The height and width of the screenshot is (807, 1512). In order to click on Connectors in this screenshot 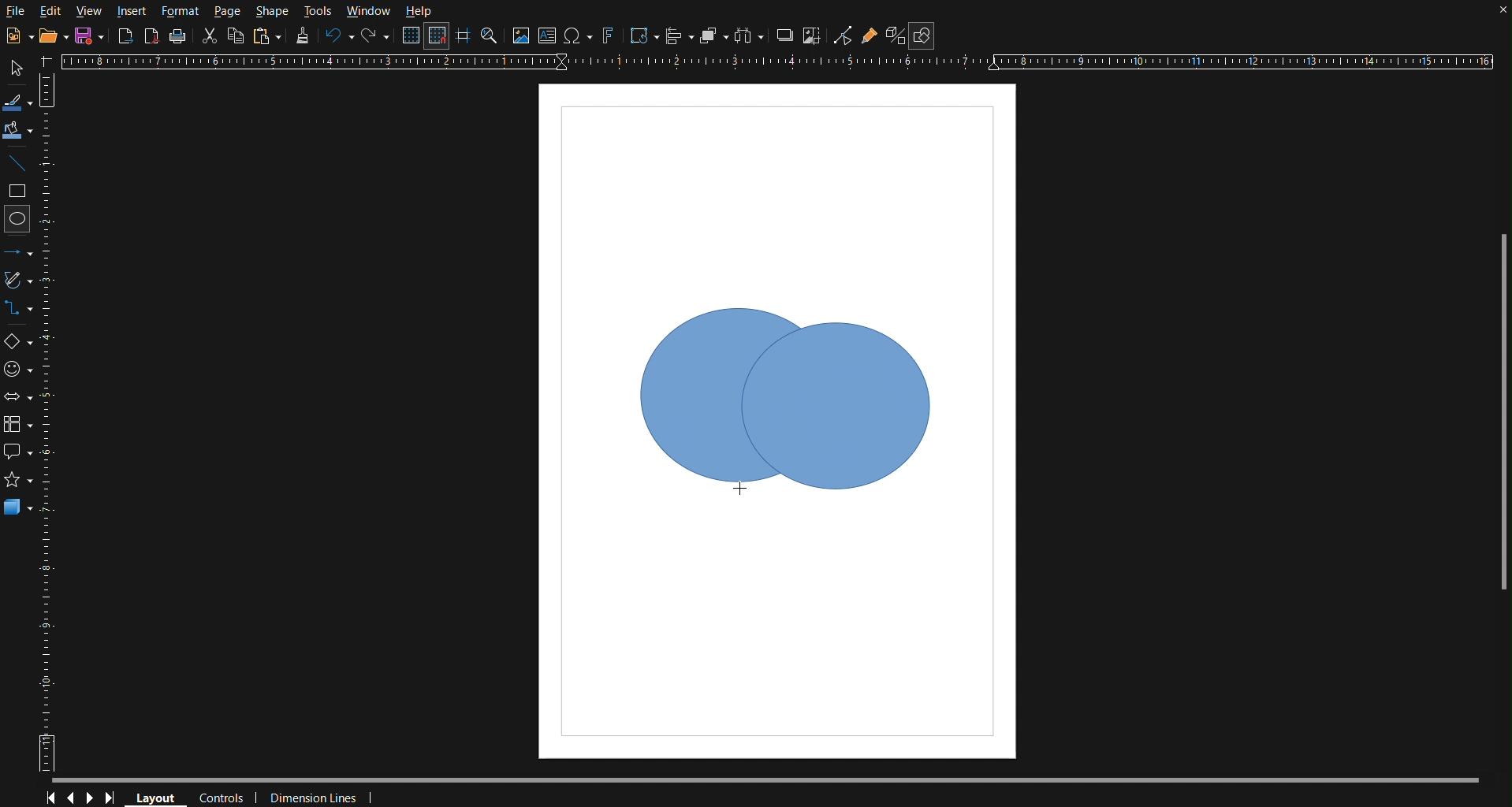, I will do `click(20, 308)`.